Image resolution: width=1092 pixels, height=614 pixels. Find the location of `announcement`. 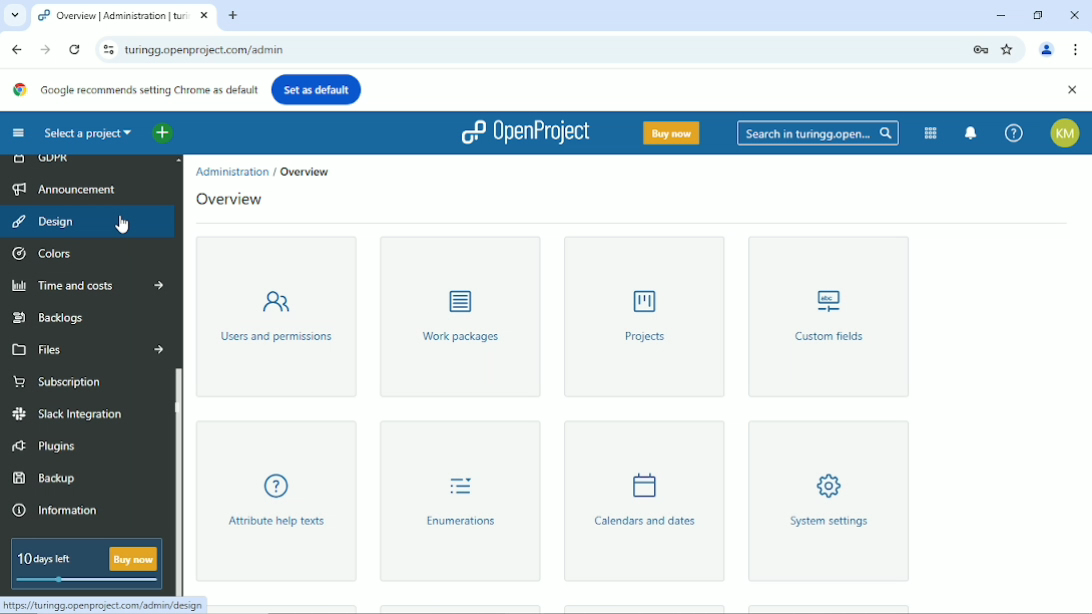

announcement is located at coordinates (72, 189).